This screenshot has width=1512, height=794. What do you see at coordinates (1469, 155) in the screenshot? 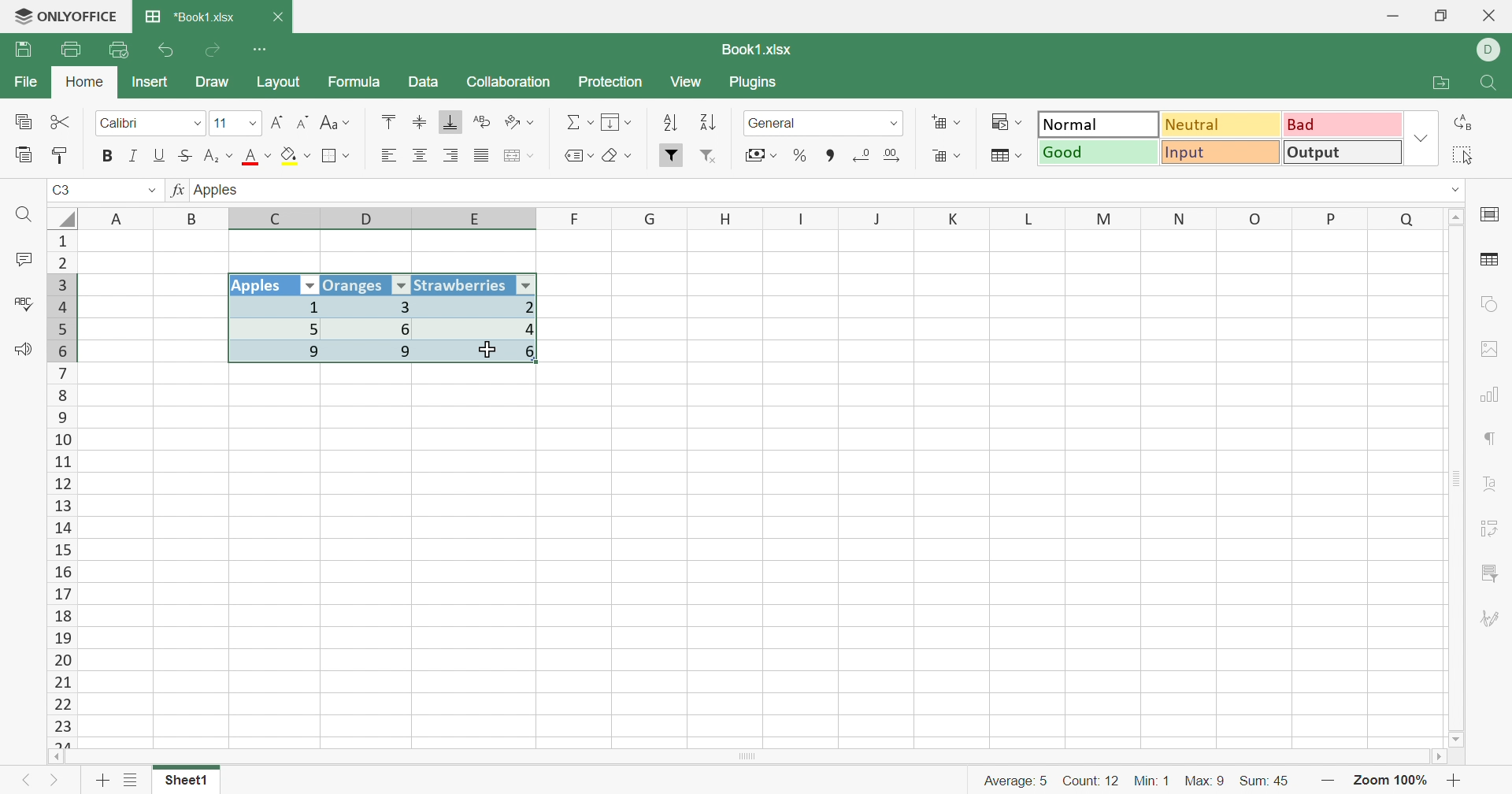
I see `Select all` at bounding box center [1469, 155].